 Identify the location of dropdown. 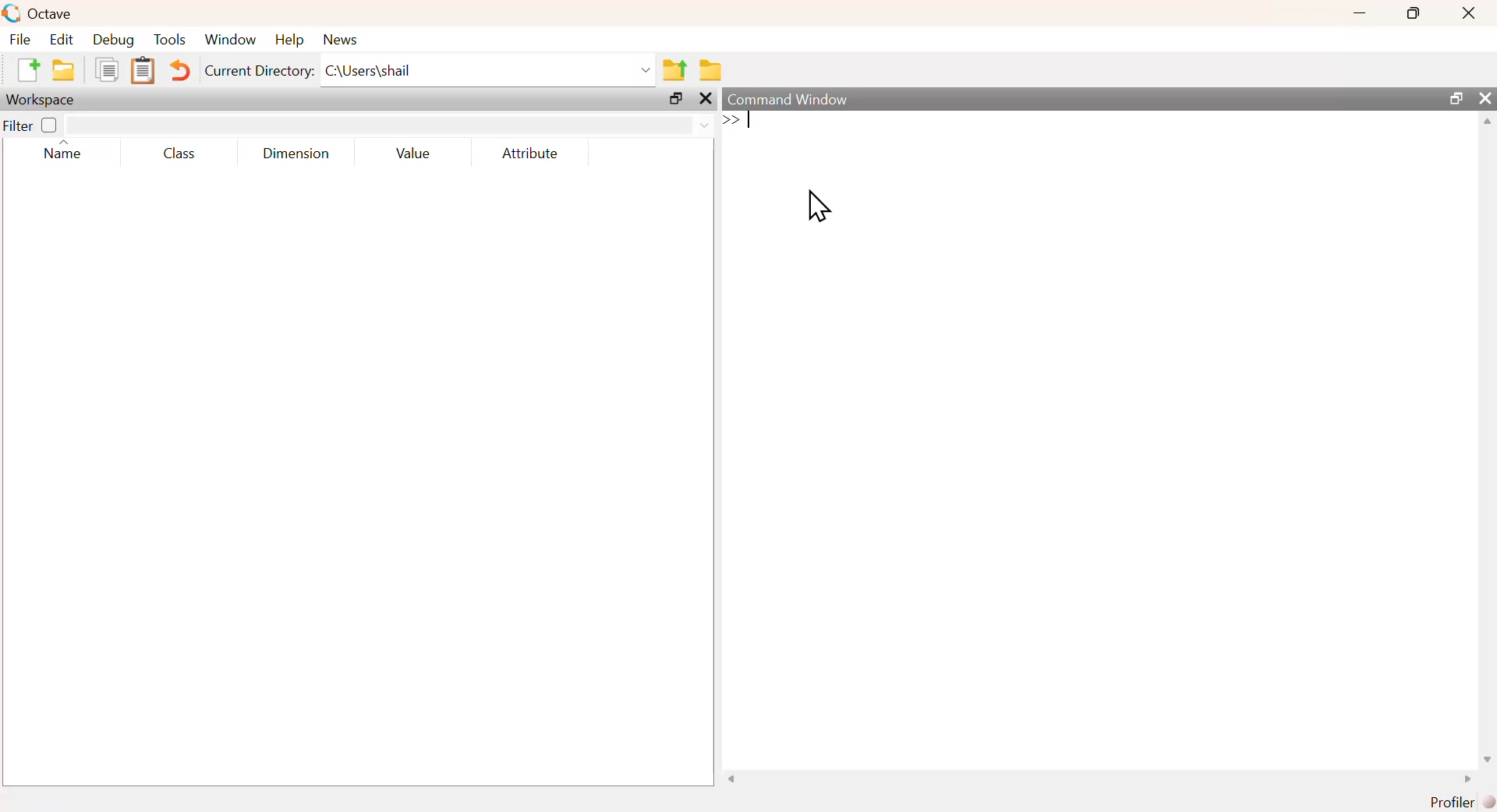
(642, 69).